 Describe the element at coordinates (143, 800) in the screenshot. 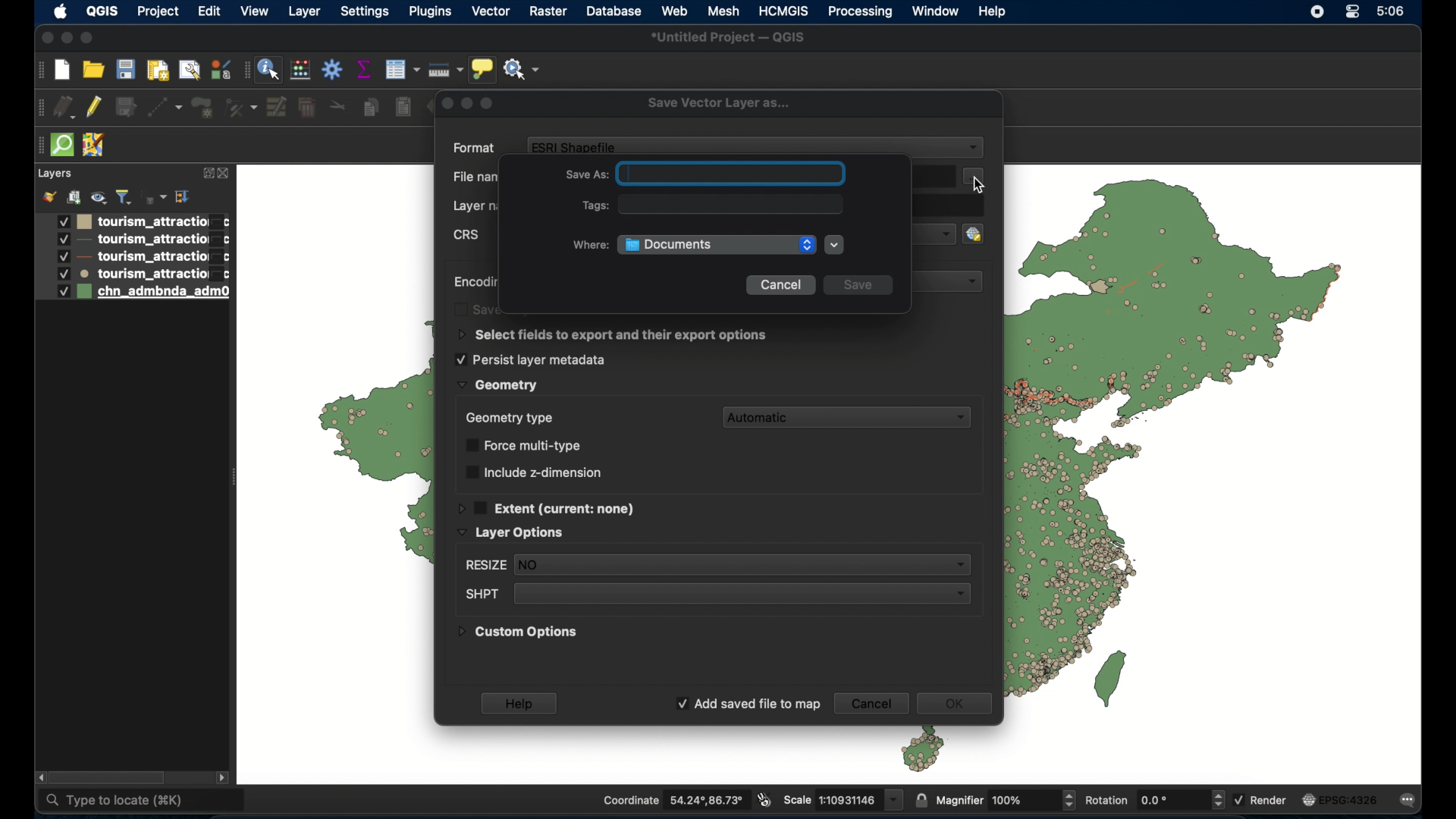

I see `type to locate` at that location.